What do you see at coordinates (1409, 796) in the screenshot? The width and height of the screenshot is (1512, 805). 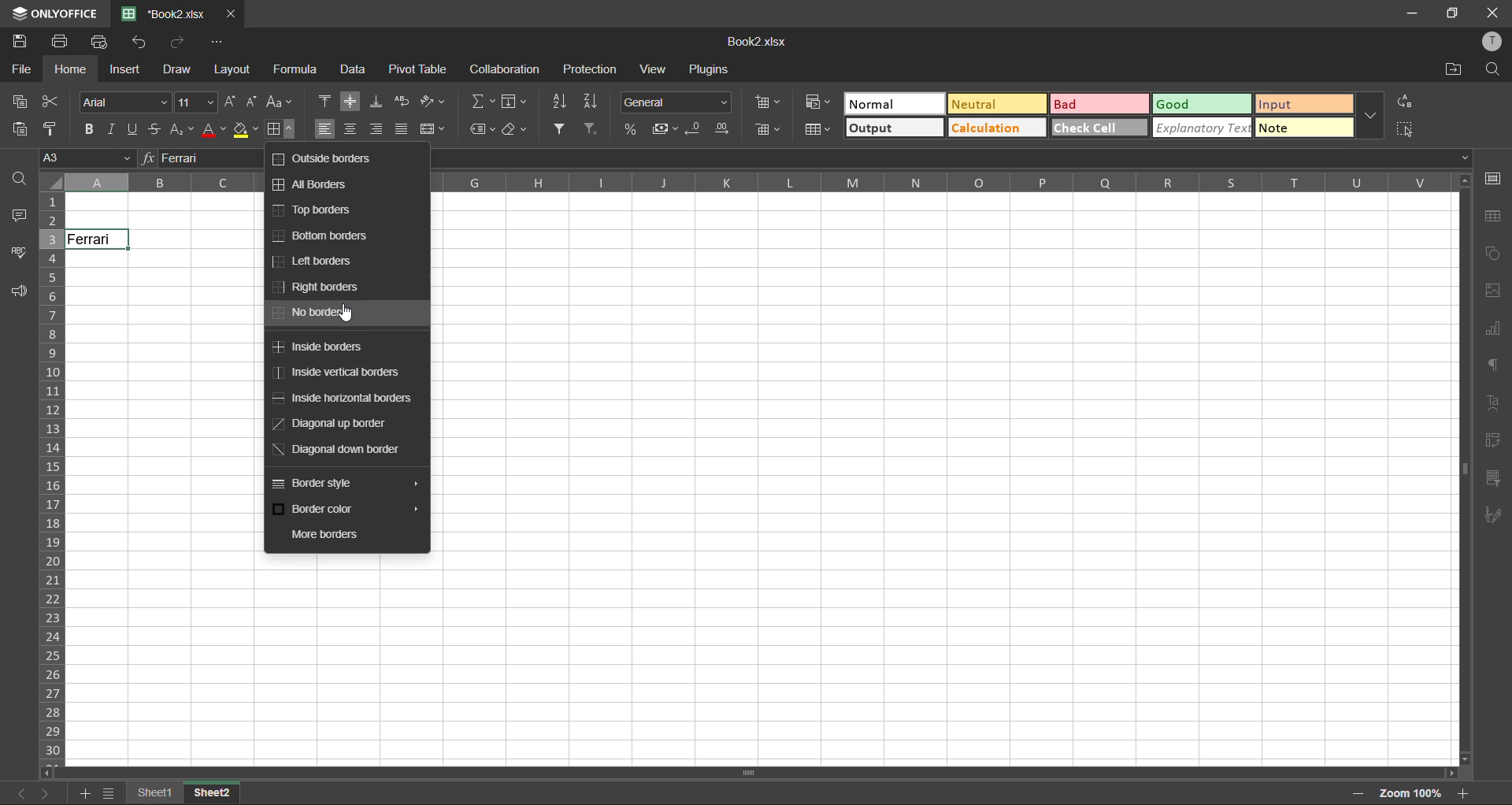 I see `zoom factor` at bounding box center [1409, 796].